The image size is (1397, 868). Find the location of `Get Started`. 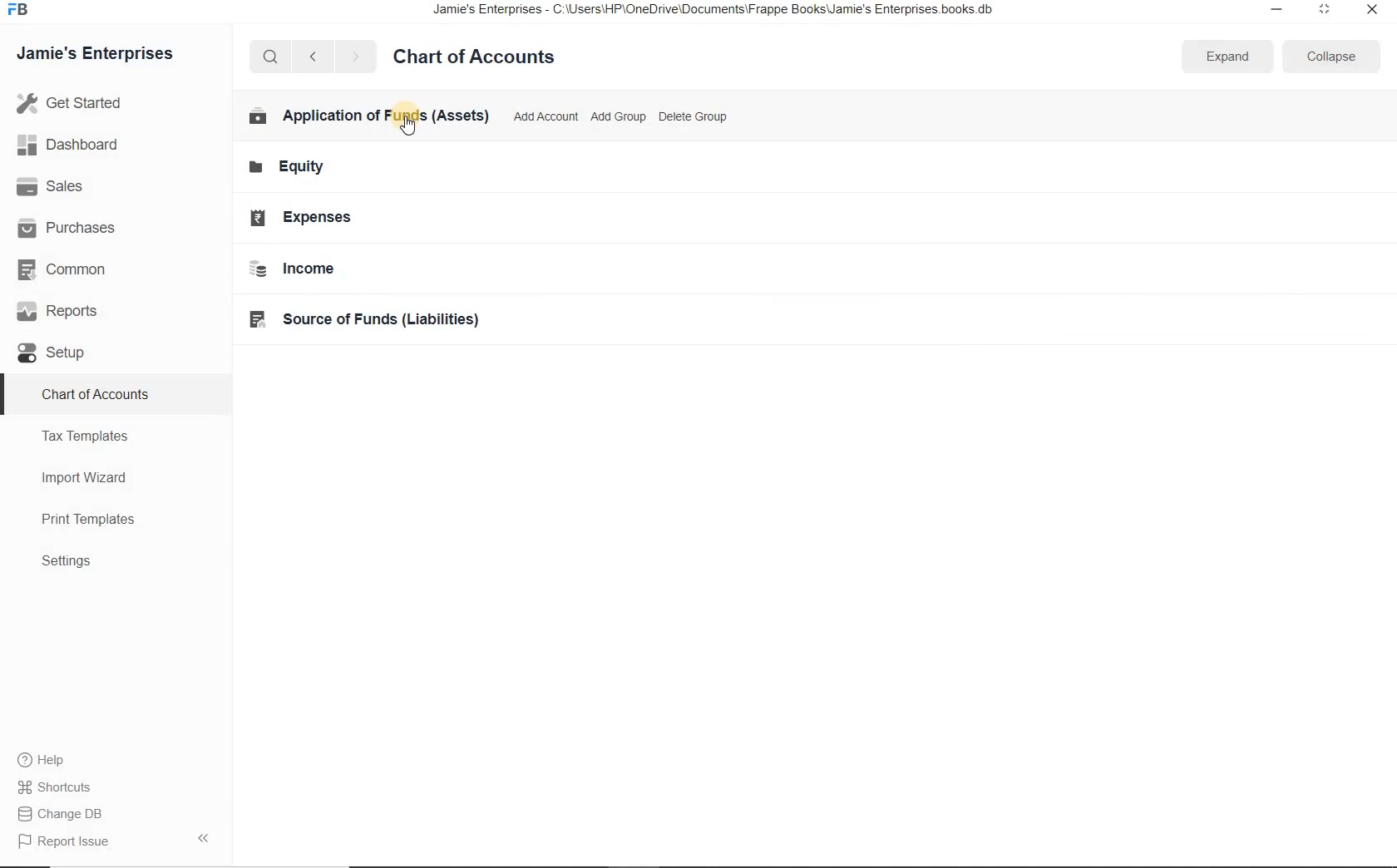

Get Started is located at coordinates (106, 103).